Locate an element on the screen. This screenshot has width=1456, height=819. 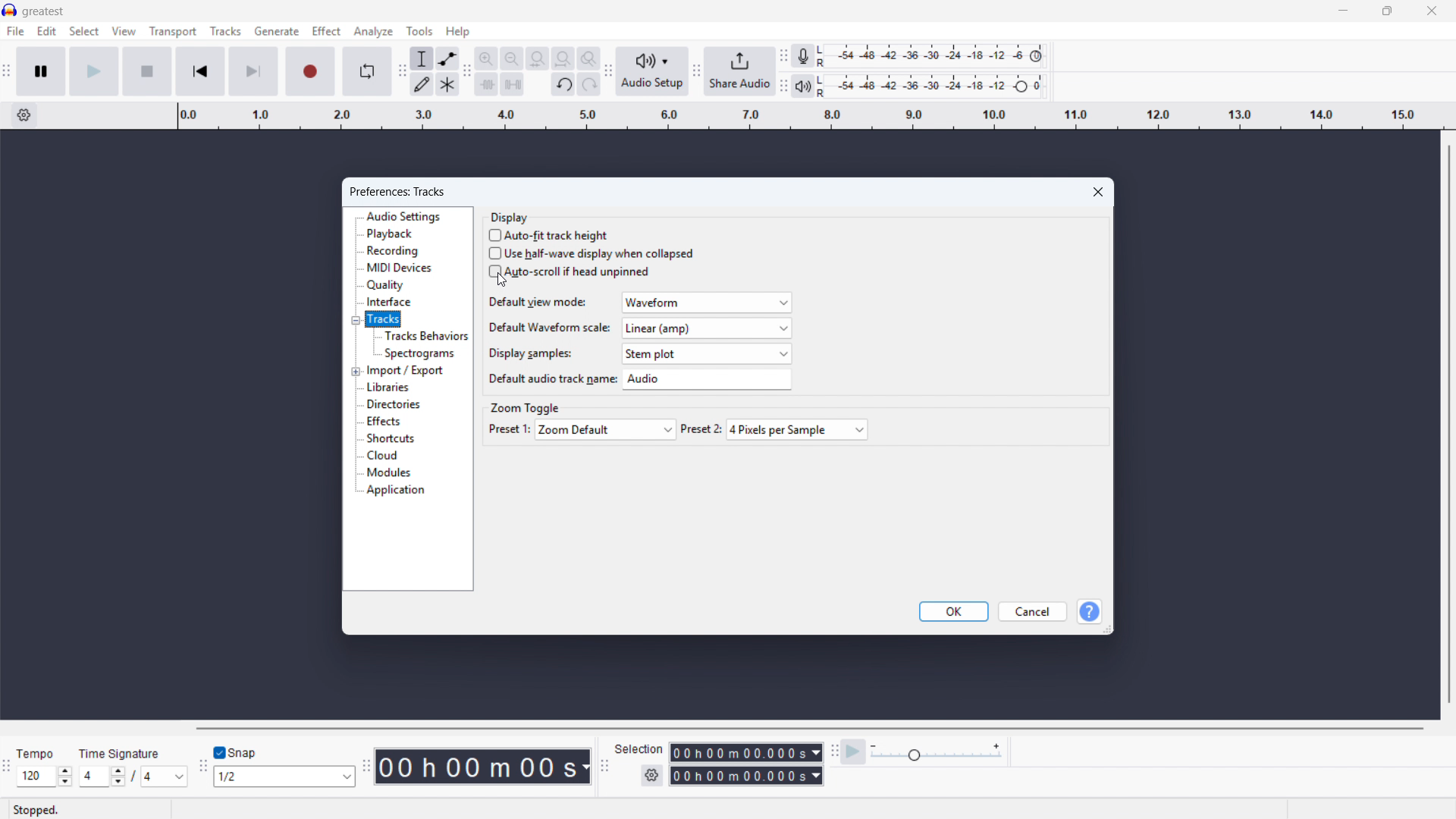
Modules  is located at coordinates (388, 473).